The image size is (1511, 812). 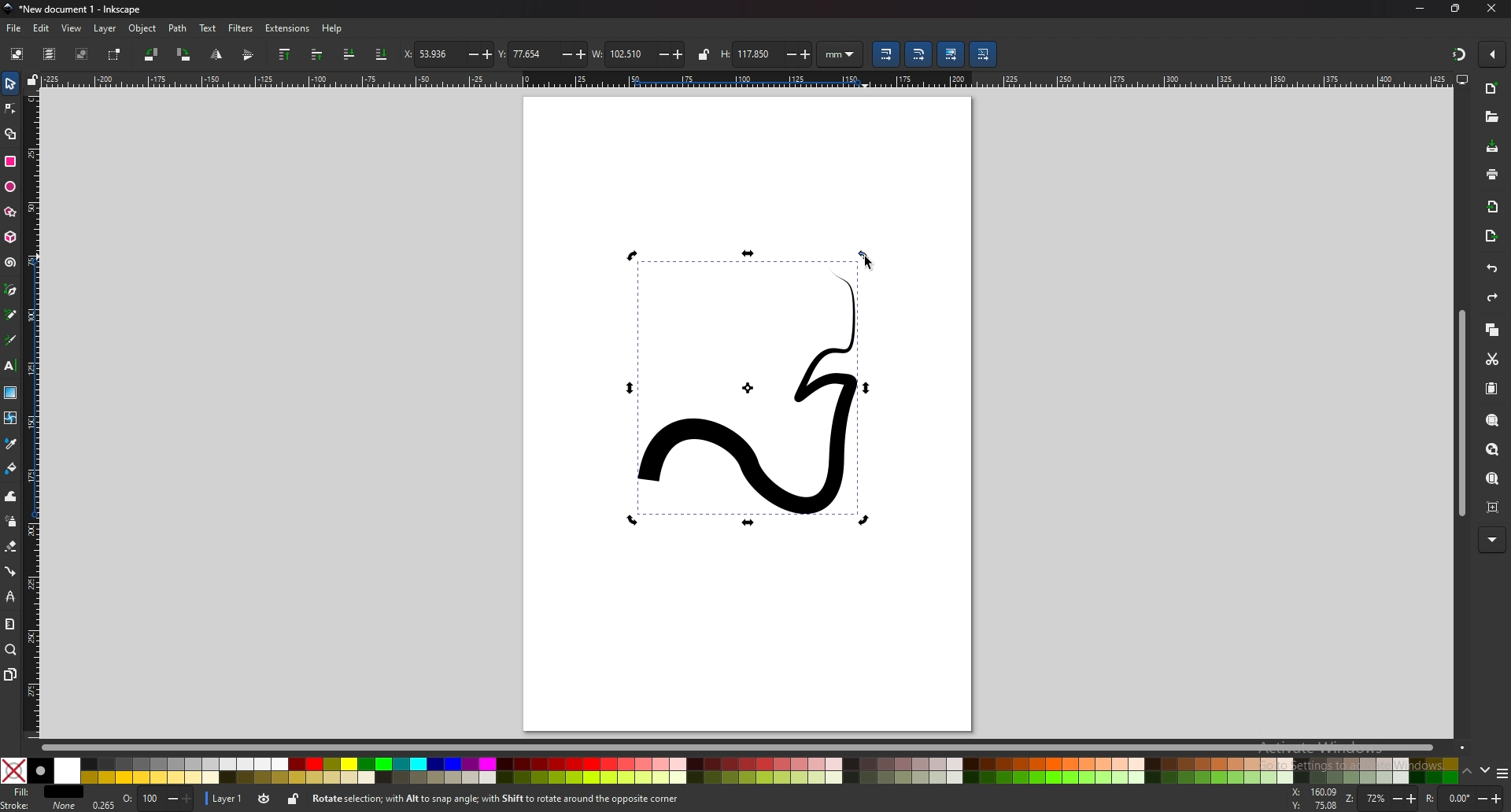 I want to click on scroll bar, so click(x=755, y=745).